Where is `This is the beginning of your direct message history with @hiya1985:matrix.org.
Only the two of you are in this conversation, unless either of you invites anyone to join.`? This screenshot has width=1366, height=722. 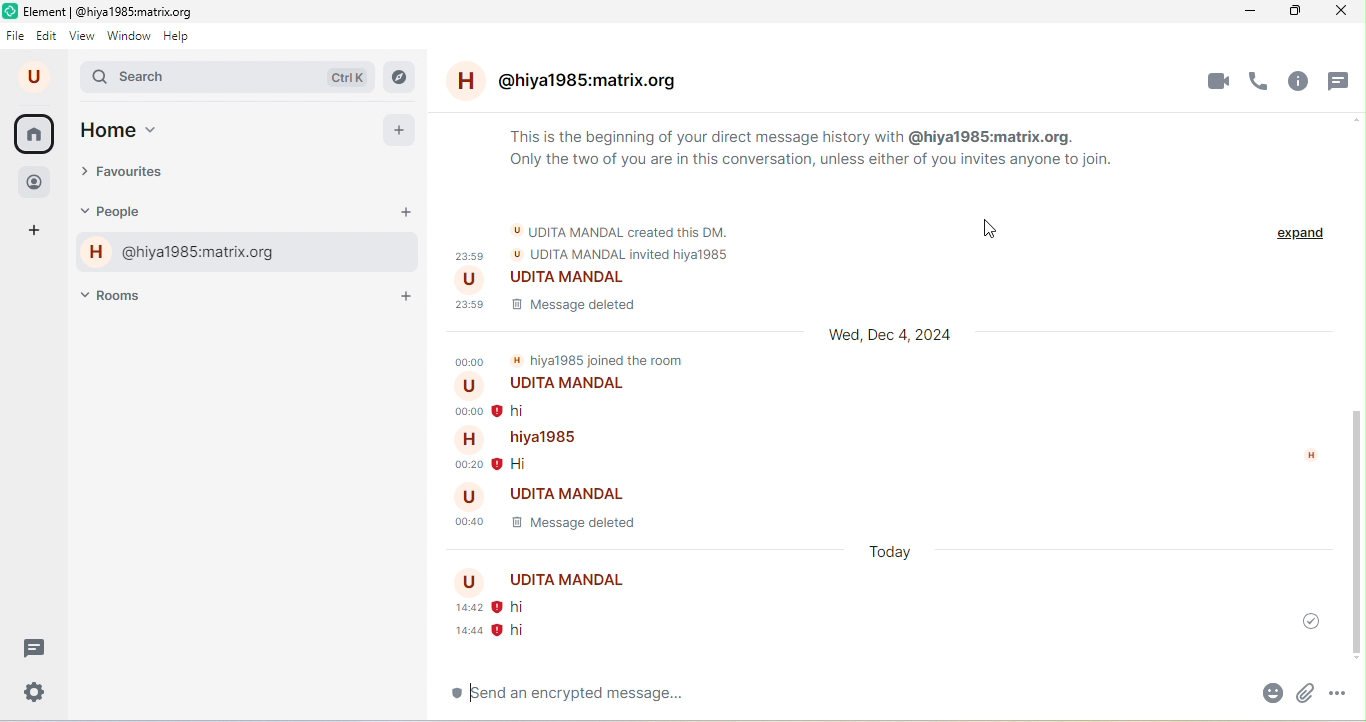 This is the beginning of your direct message history with @hiya1985:matrix.org.
Only the two of you are in this conversation, unless either of you invites anyone to join. is located at coordinates (811, 150).